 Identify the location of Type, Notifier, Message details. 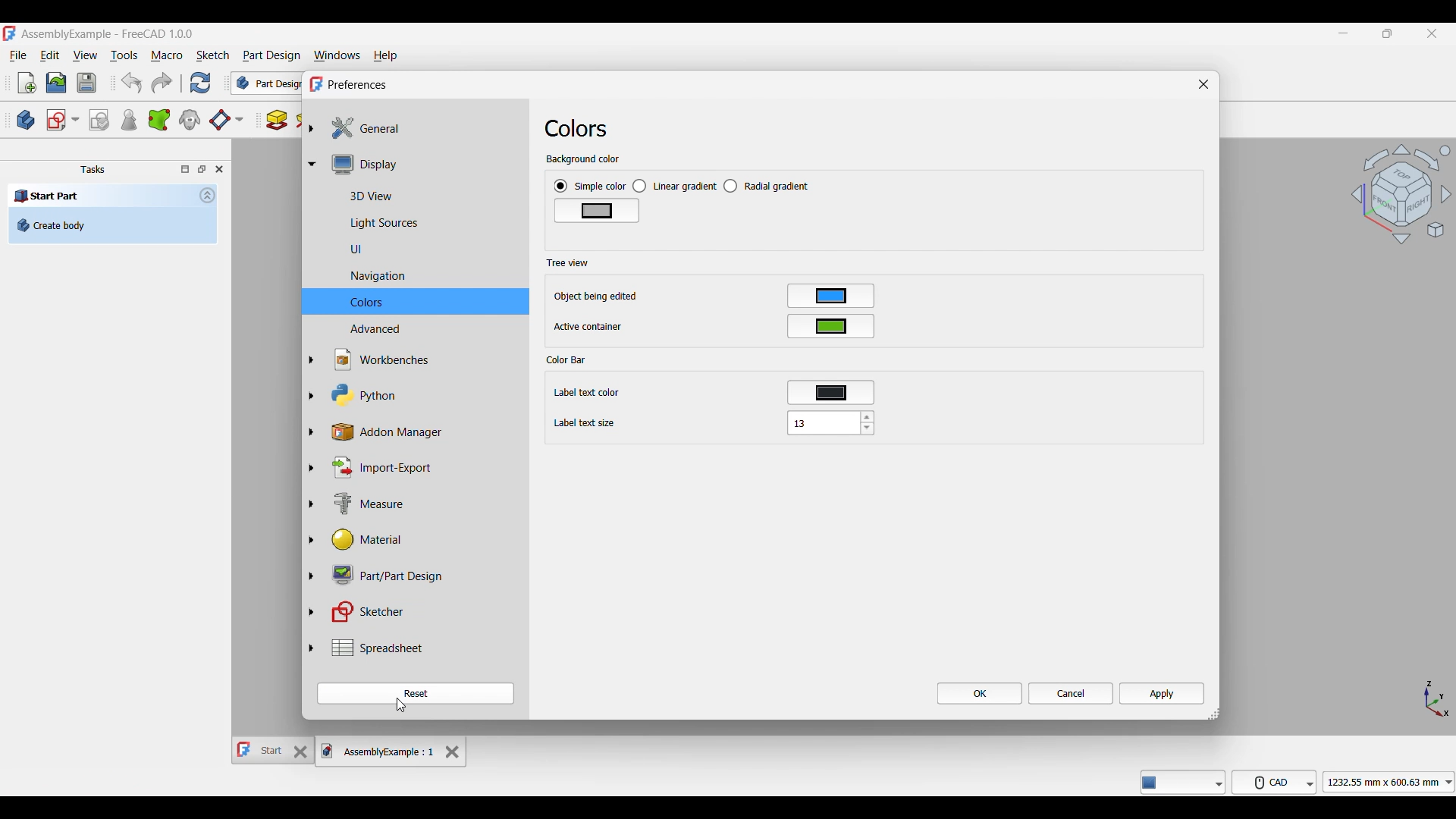
(1183, 782).